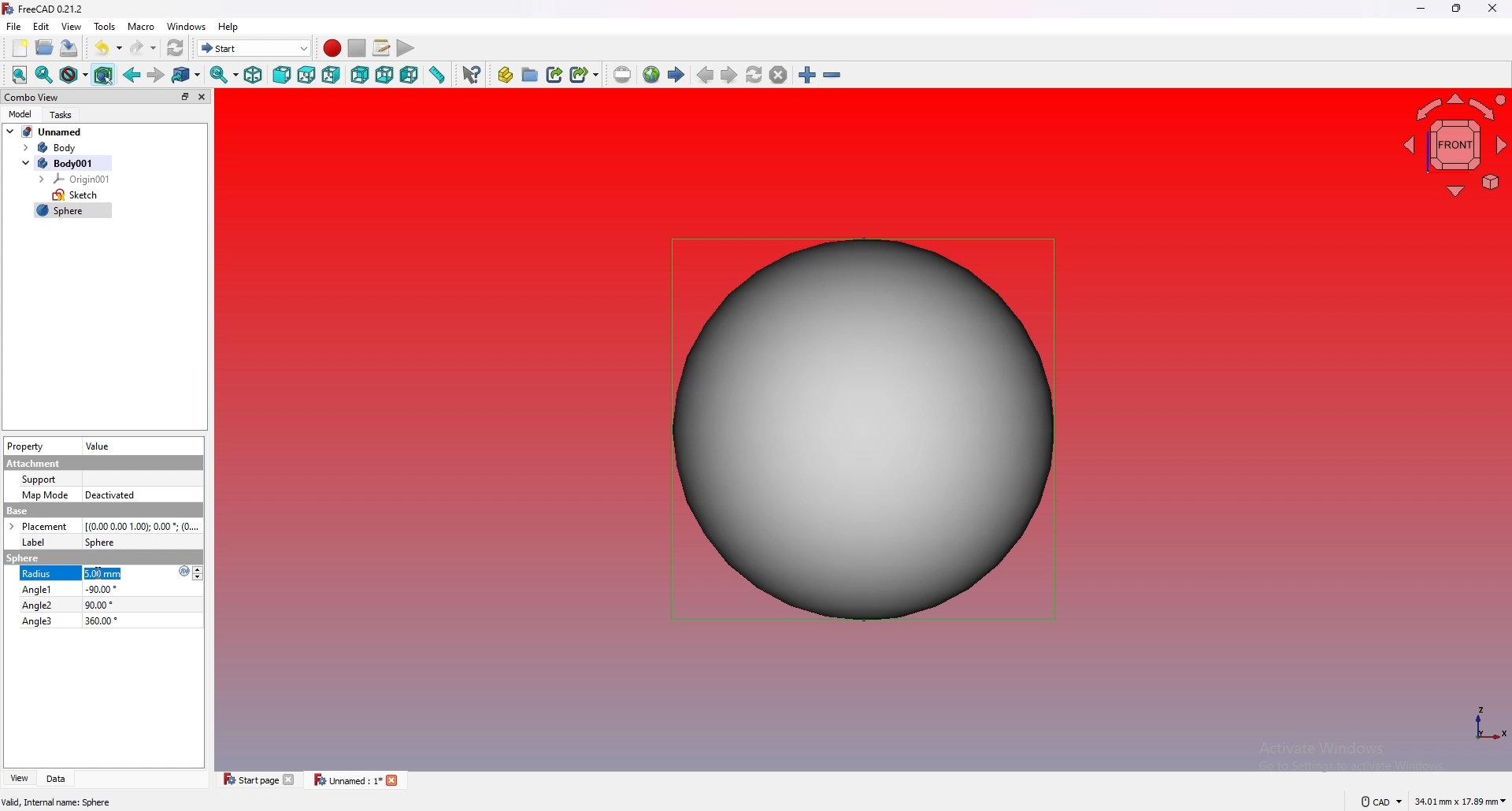 This screenshot has width=1512, height=811. Describe the element at coordinates (100, 572) in the screenshot. I see `cursor` at that location.